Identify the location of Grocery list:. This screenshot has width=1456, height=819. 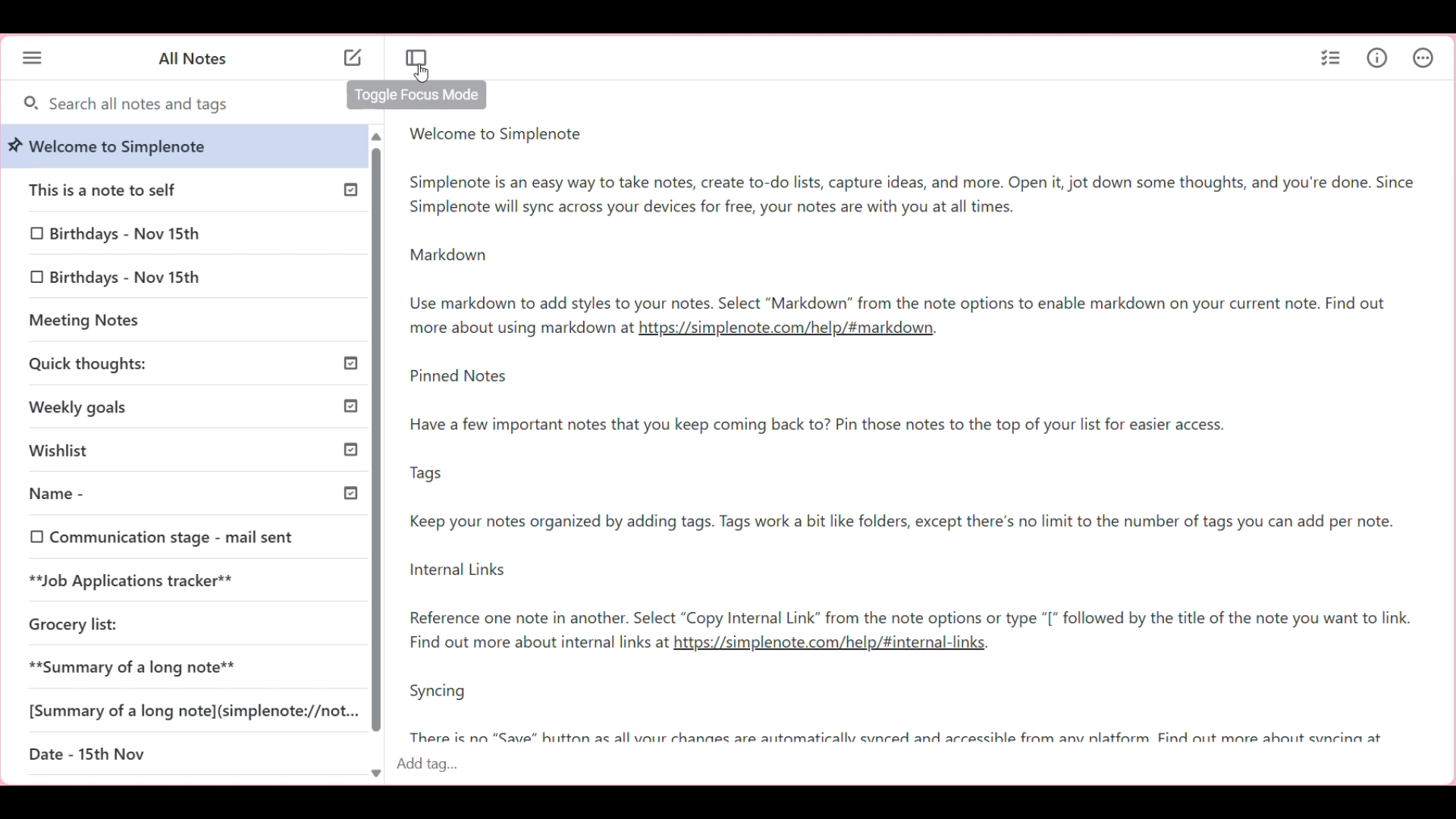
(64, 623).